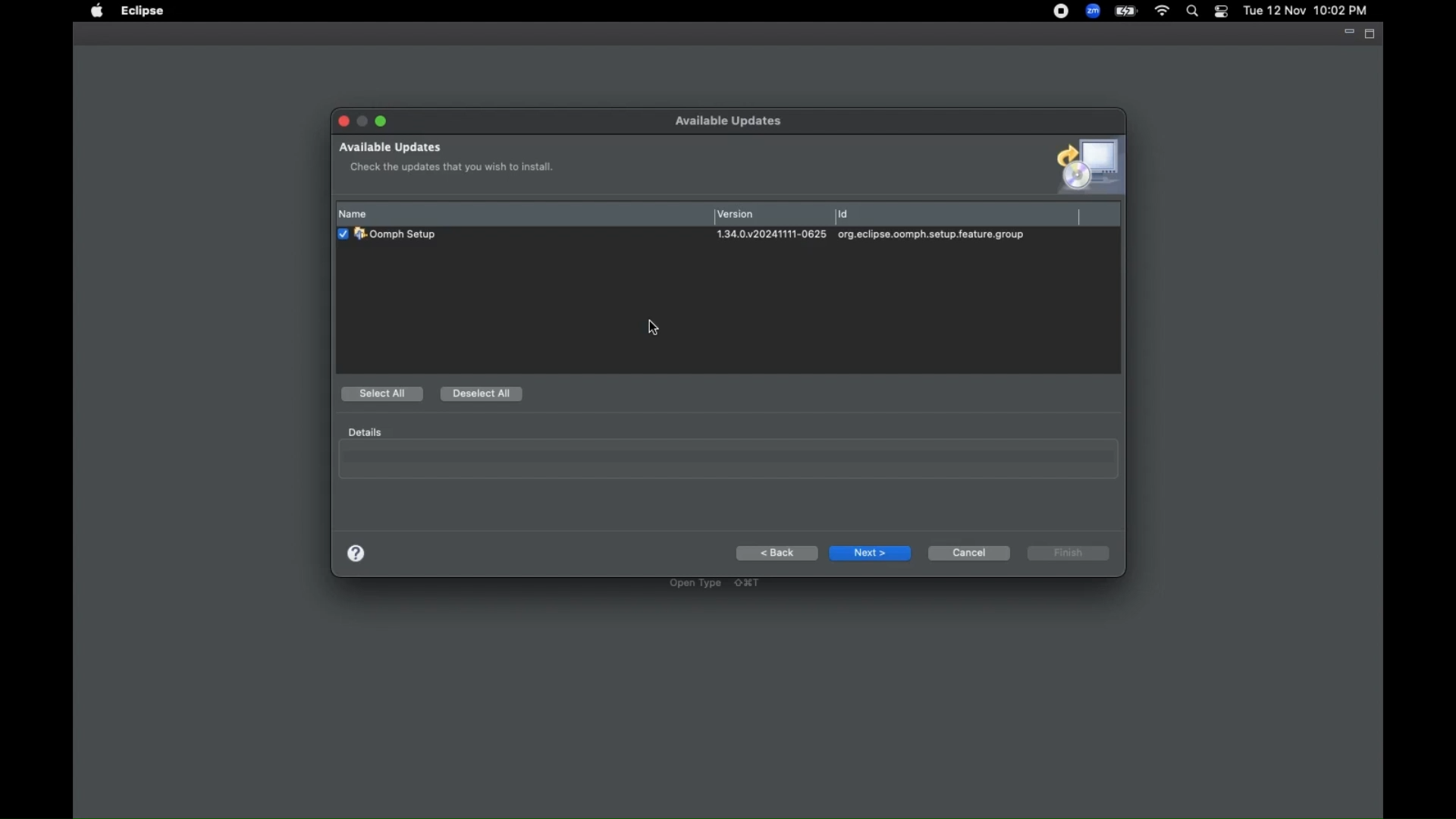  Describe the element at coordinates (968, 552) in the screenshot. I see `Cancel` at that location.